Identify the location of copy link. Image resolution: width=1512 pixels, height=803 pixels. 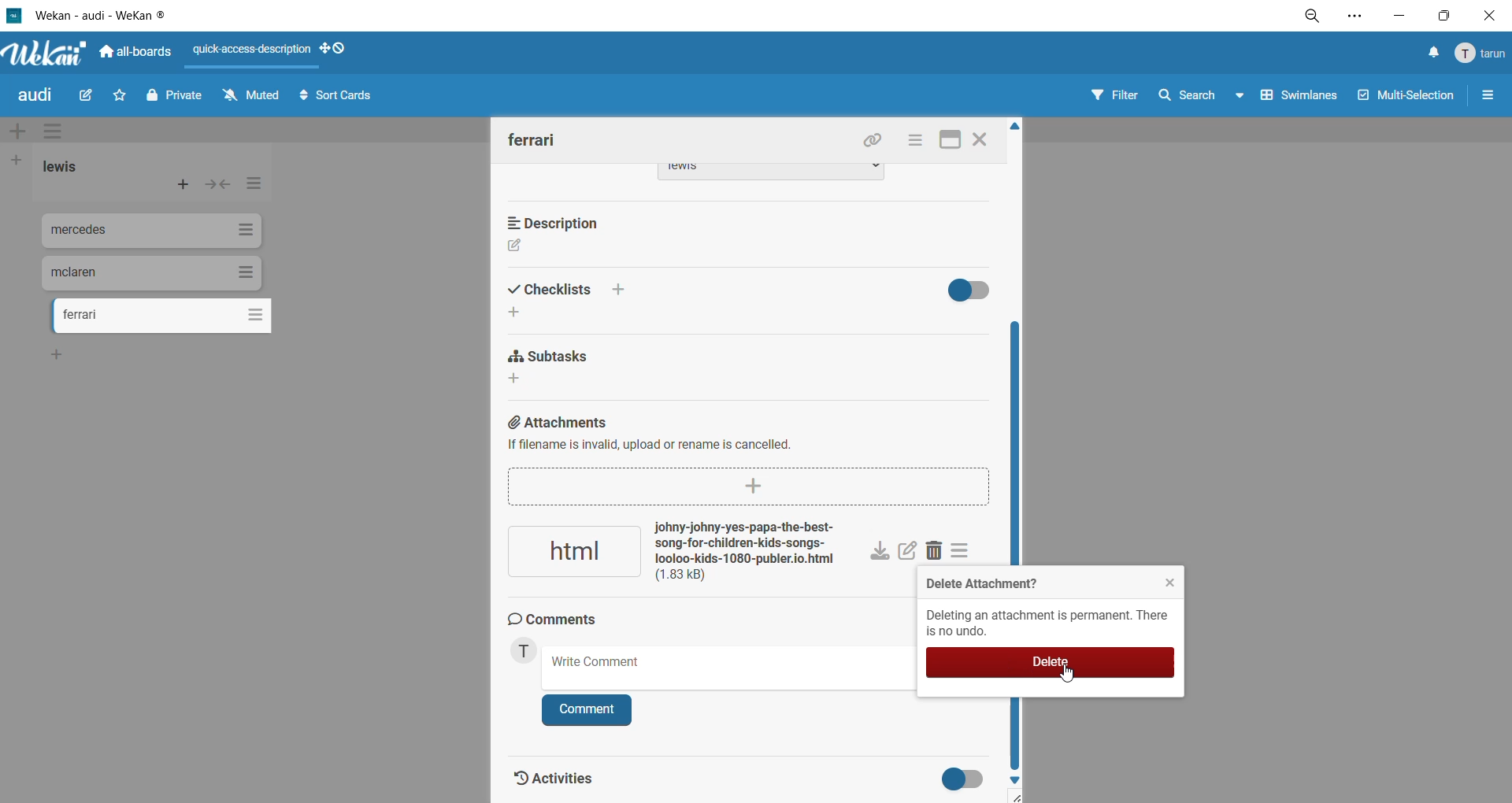
(876, 142).